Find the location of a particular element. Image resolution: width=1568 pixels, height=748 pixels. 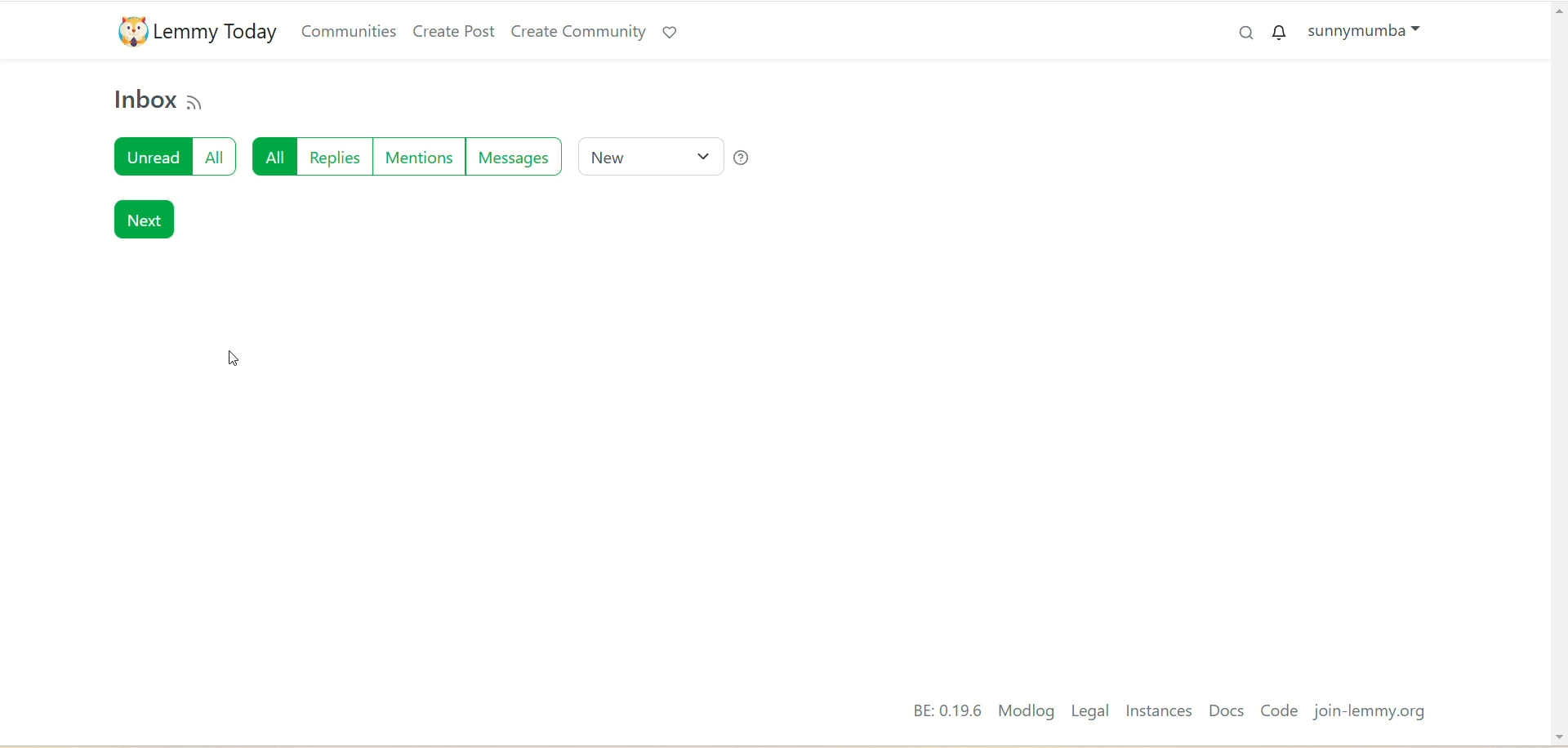

No notification pending to read is located at coordinates (449, 282).